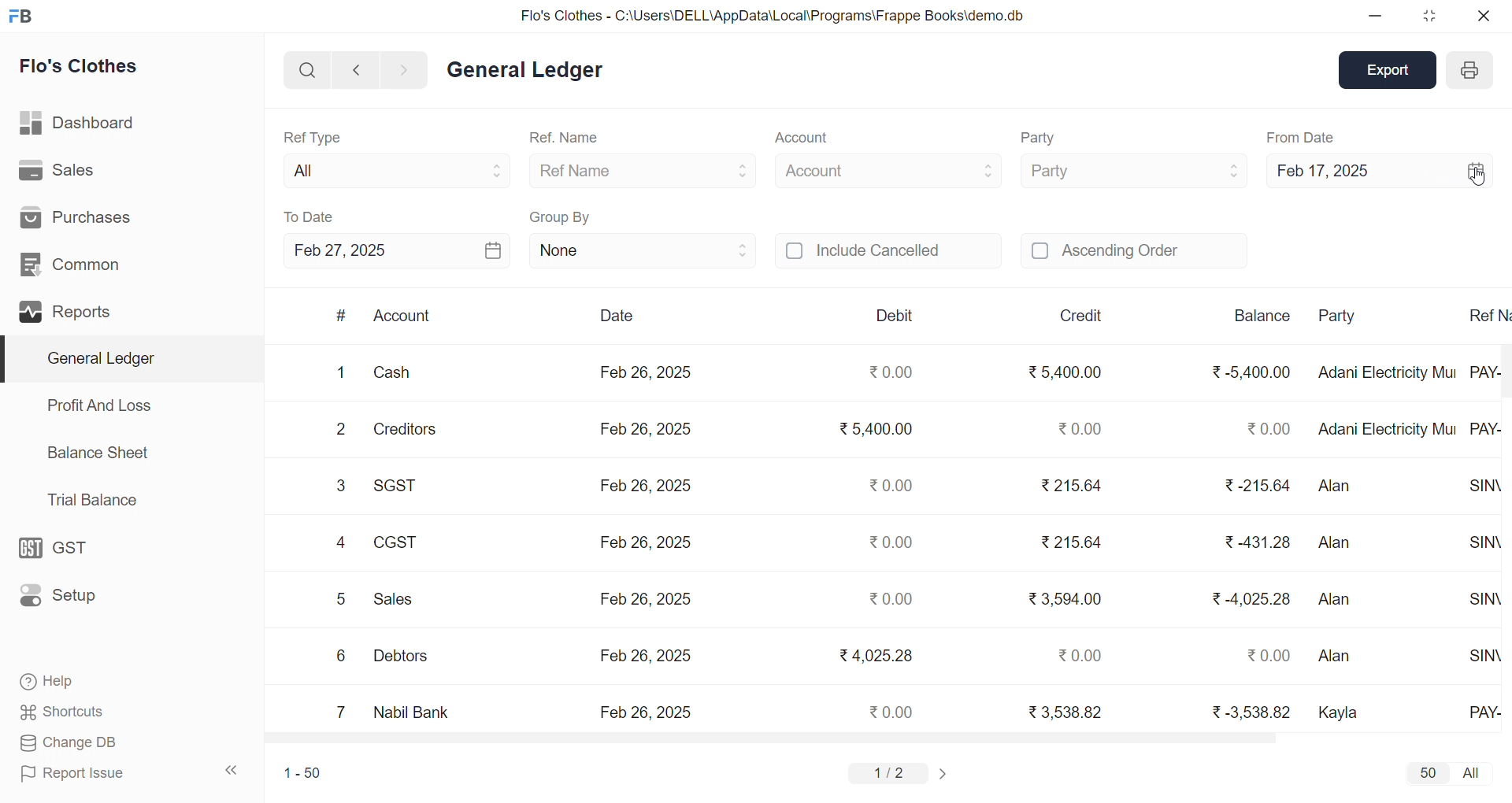 This screenshot has height=803, width=1512. I want to click on ₹-215.64, so click(1251, 483).